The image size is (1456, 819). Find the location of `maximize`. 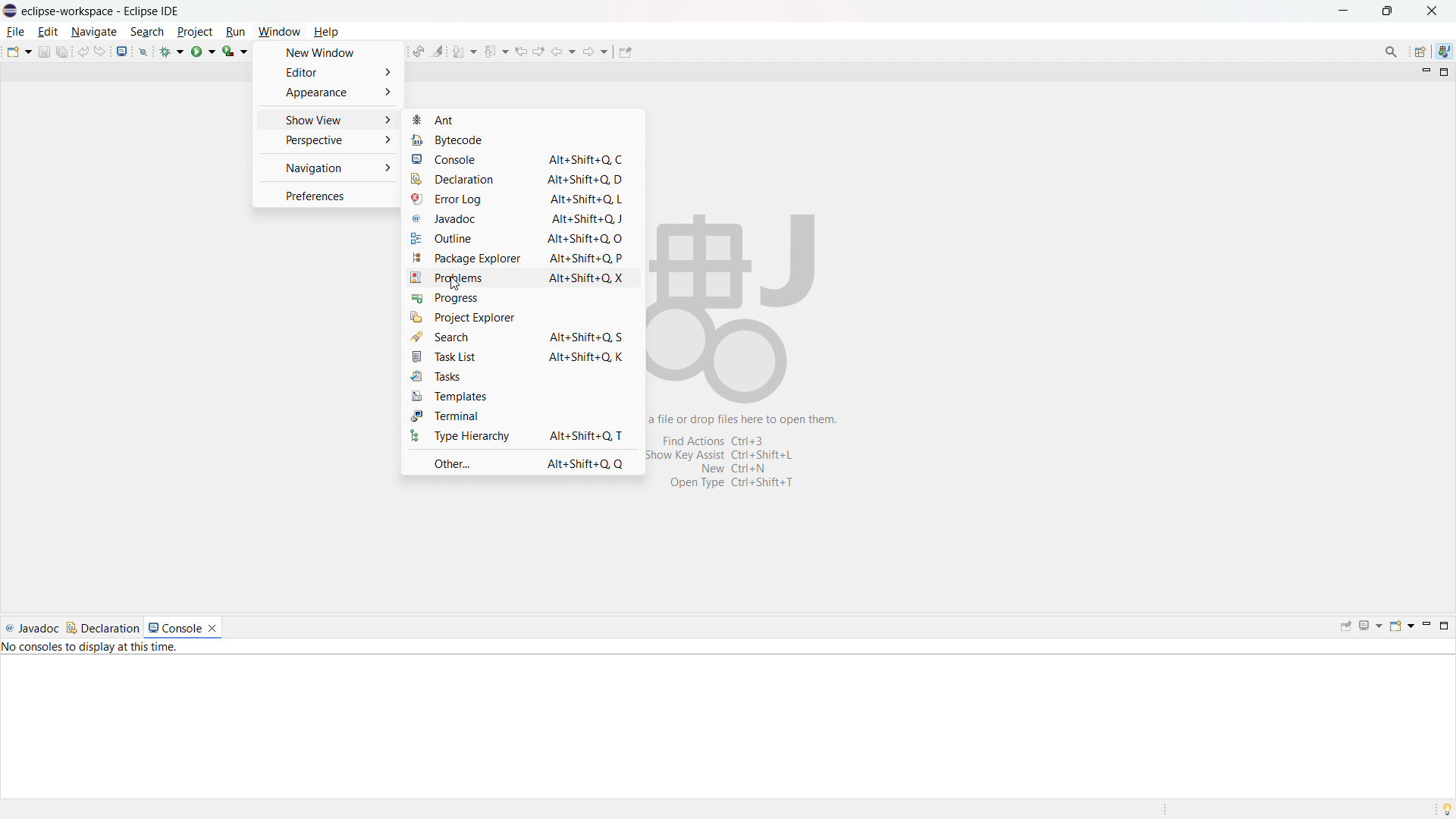

maximize is located at coordinates (1445, 626).